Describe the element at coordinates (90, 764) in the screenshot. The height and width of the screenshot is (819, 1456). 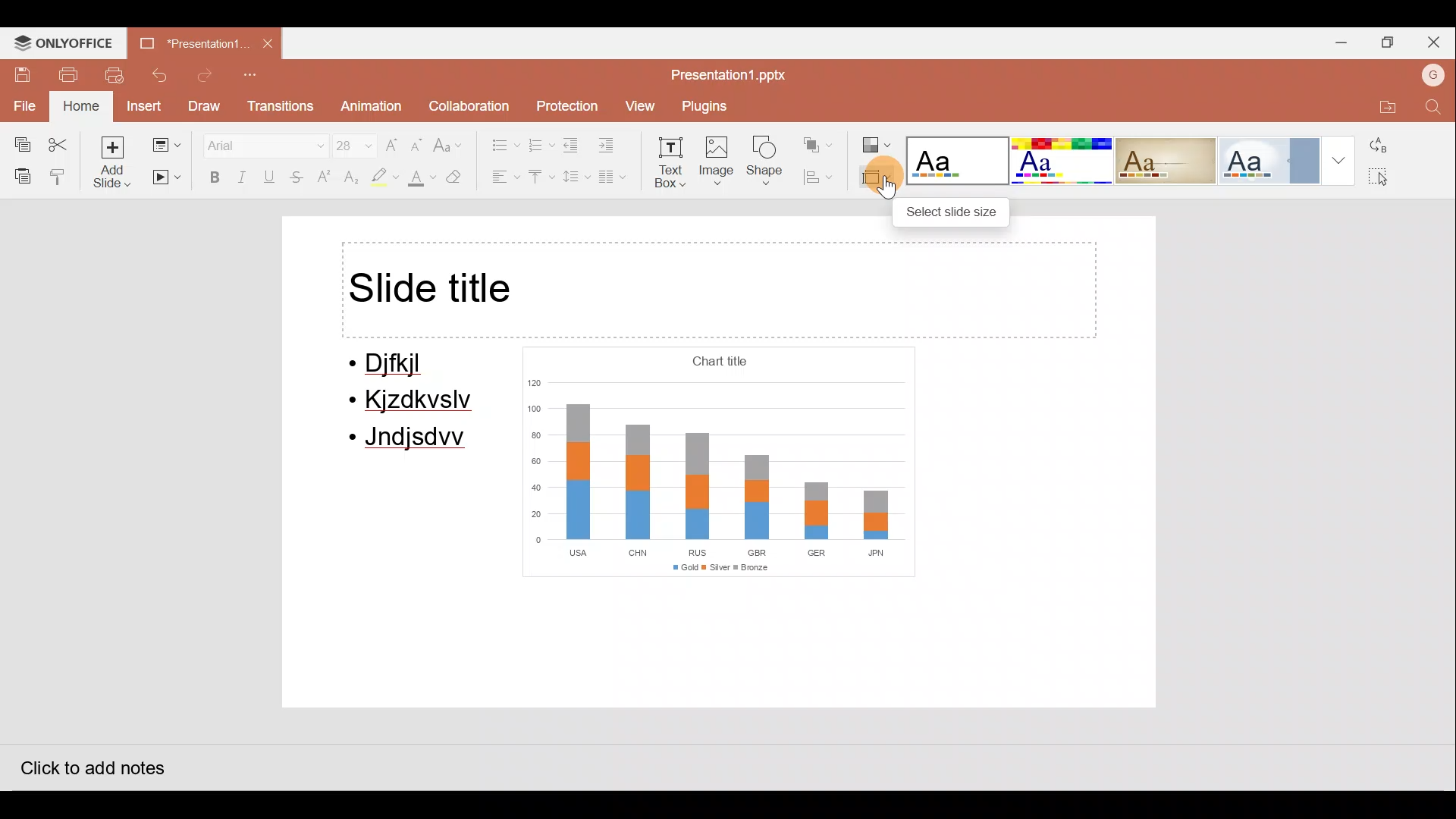
I see `Click to add notes` at that location.